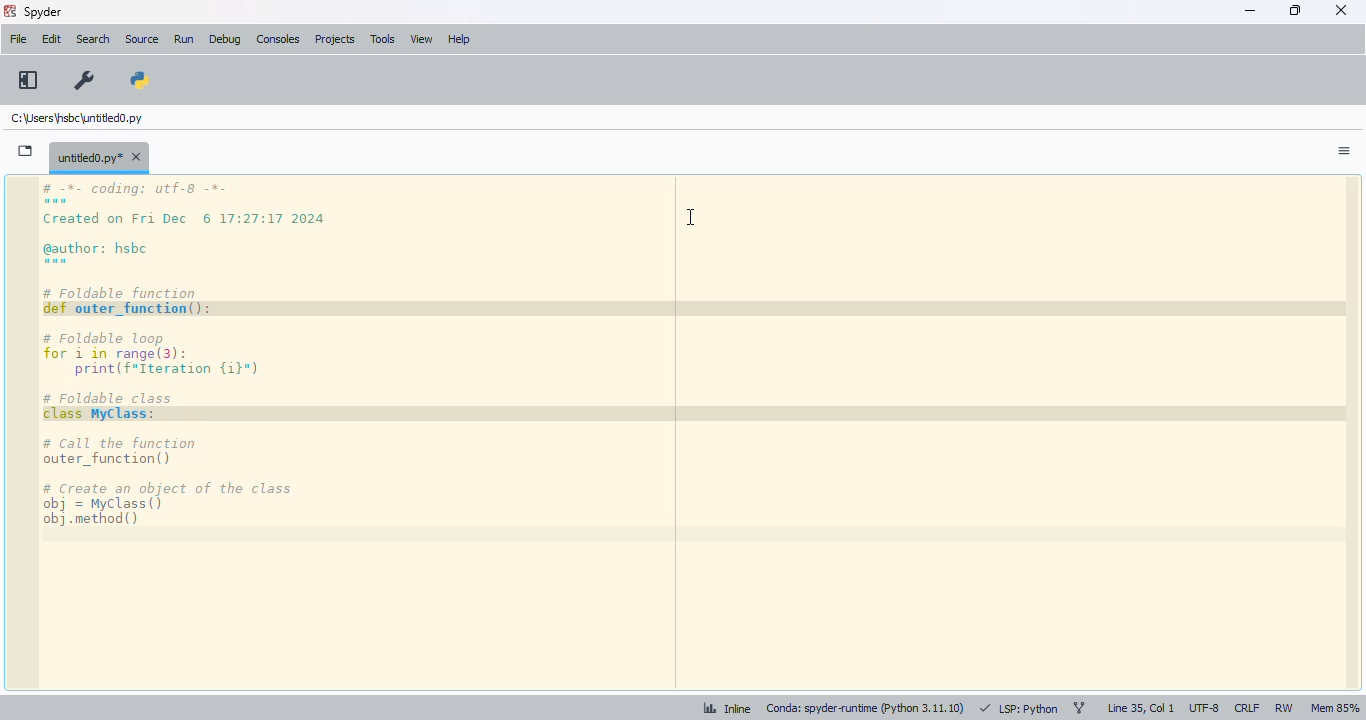 Image resolution: width=1366 pixels, height=720 pixels. What do you see at coordinates (278, 38) in the screenshot?
I see `consoles` at bounding box center [278, 38].